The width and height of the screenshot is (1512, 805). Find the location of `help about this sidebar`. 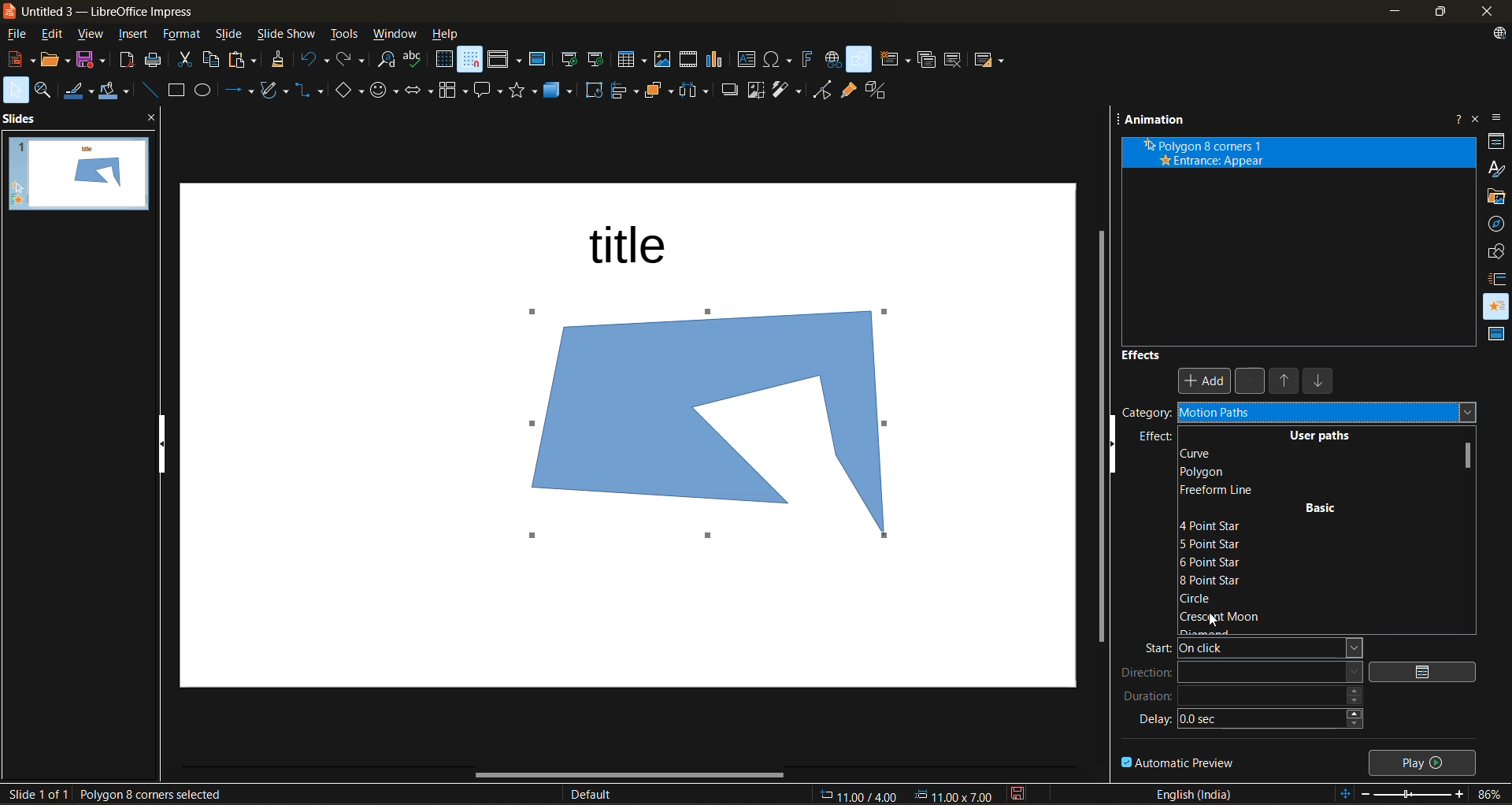

help about this sidebar is located at coordinates (1454, 117).